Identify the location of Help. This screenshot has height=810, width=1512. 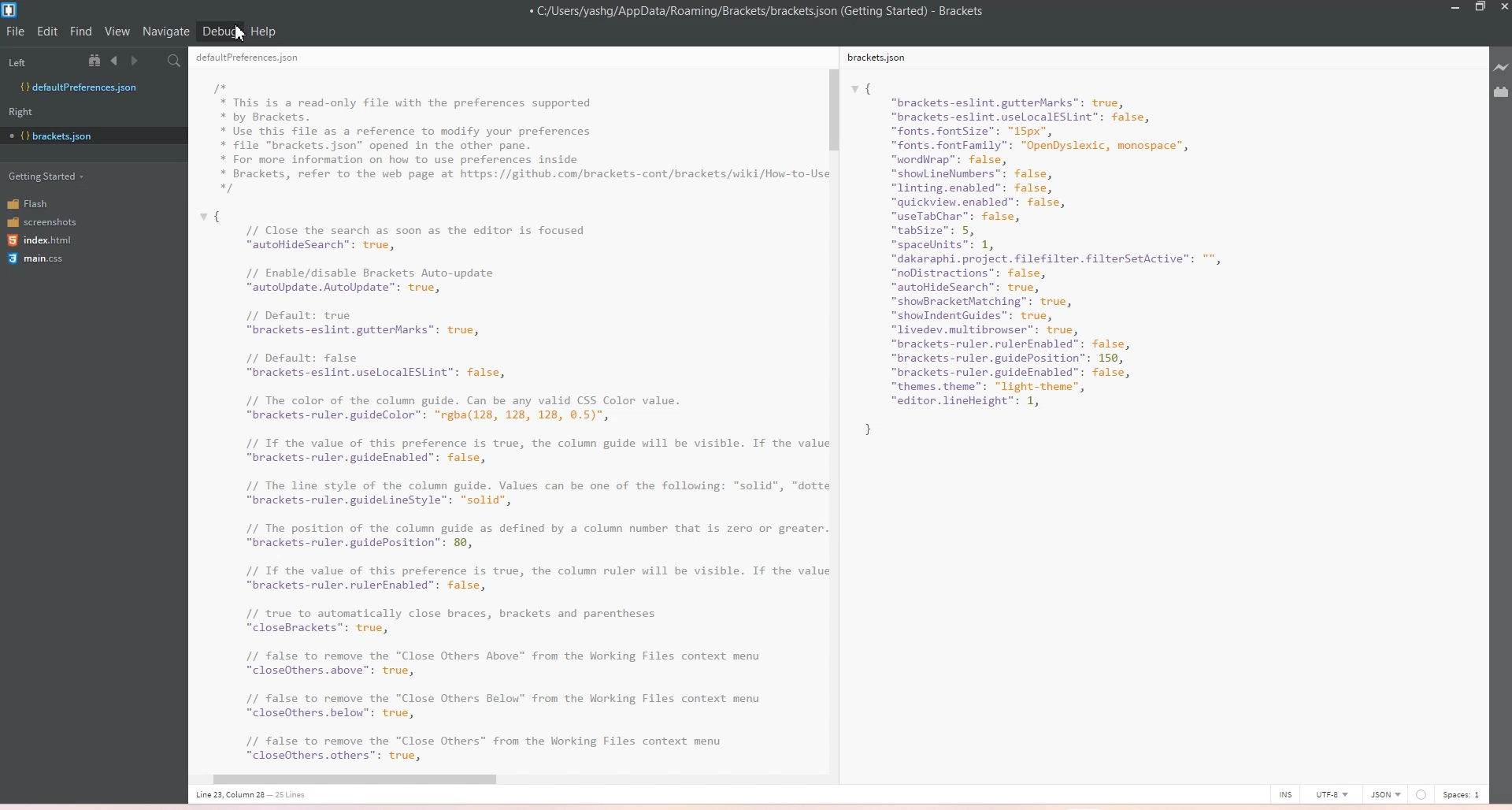
(263, 32).